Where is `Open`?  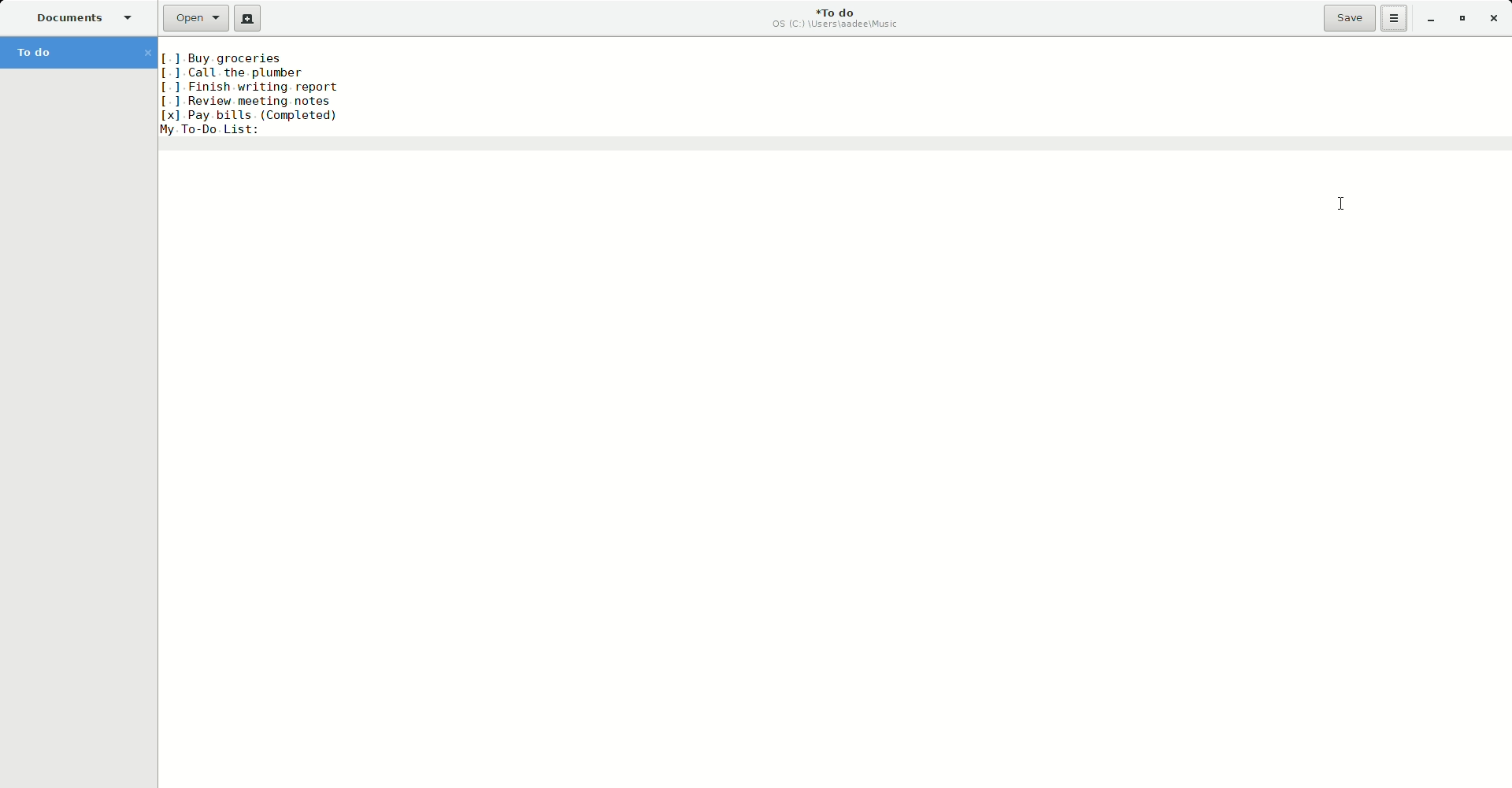 Open is located at coordinates (190, 18).